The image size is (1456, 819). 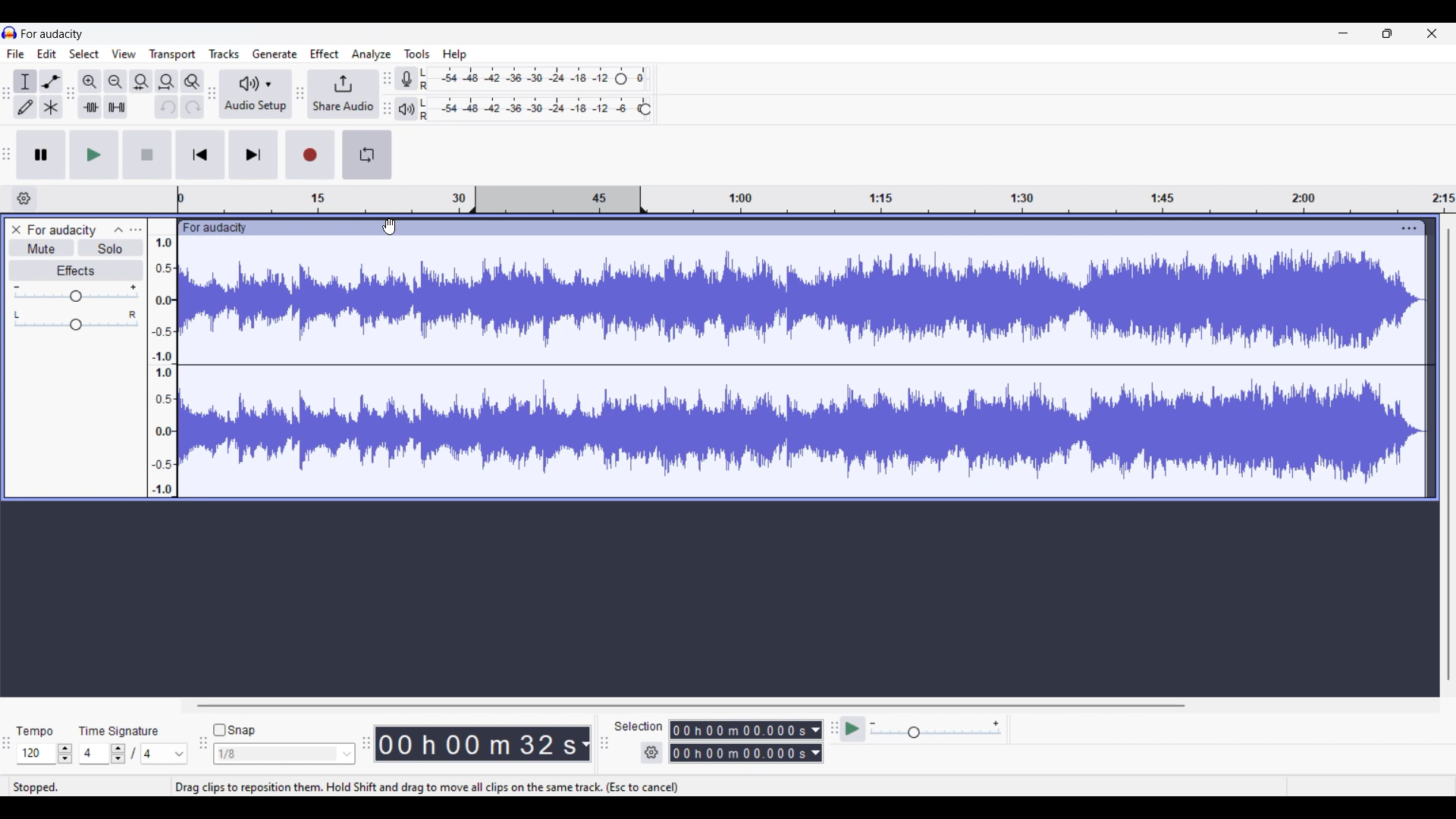 What do you see at coordinates (645, 109) in the screenshot?
I see `Recording to change playback level ` at bounding box center [645, 109].